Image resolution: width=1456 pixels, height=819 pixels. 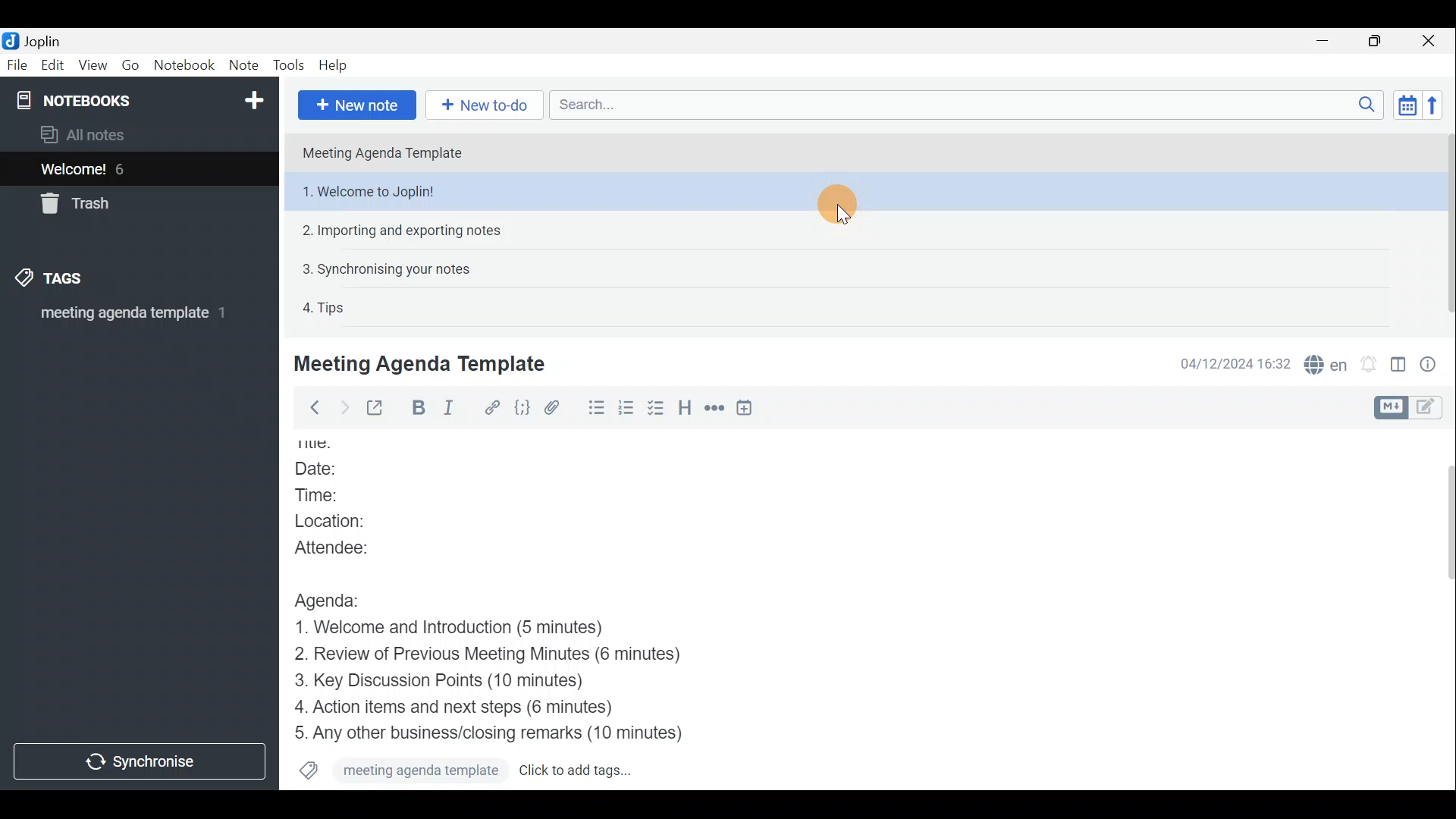 What do you see at coordinates (474, 629) in the screenshot?
I see `1. Welcome and Introduction (5 minutes)` at bounding box center [474, 629].